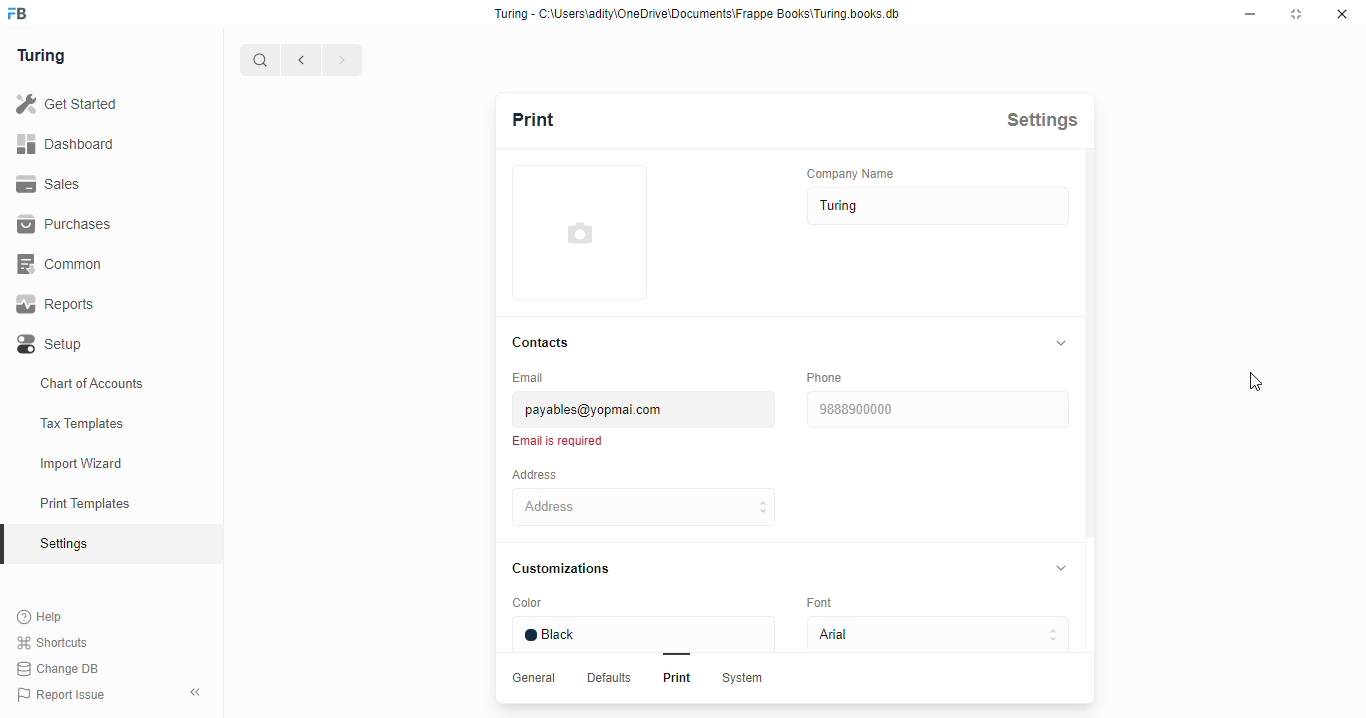 The width and height of the screenshot is (1366, 718). What do you see at coordinates (565, 604) in the screenshot?
I see `Color` at bounding box center [565, 604].